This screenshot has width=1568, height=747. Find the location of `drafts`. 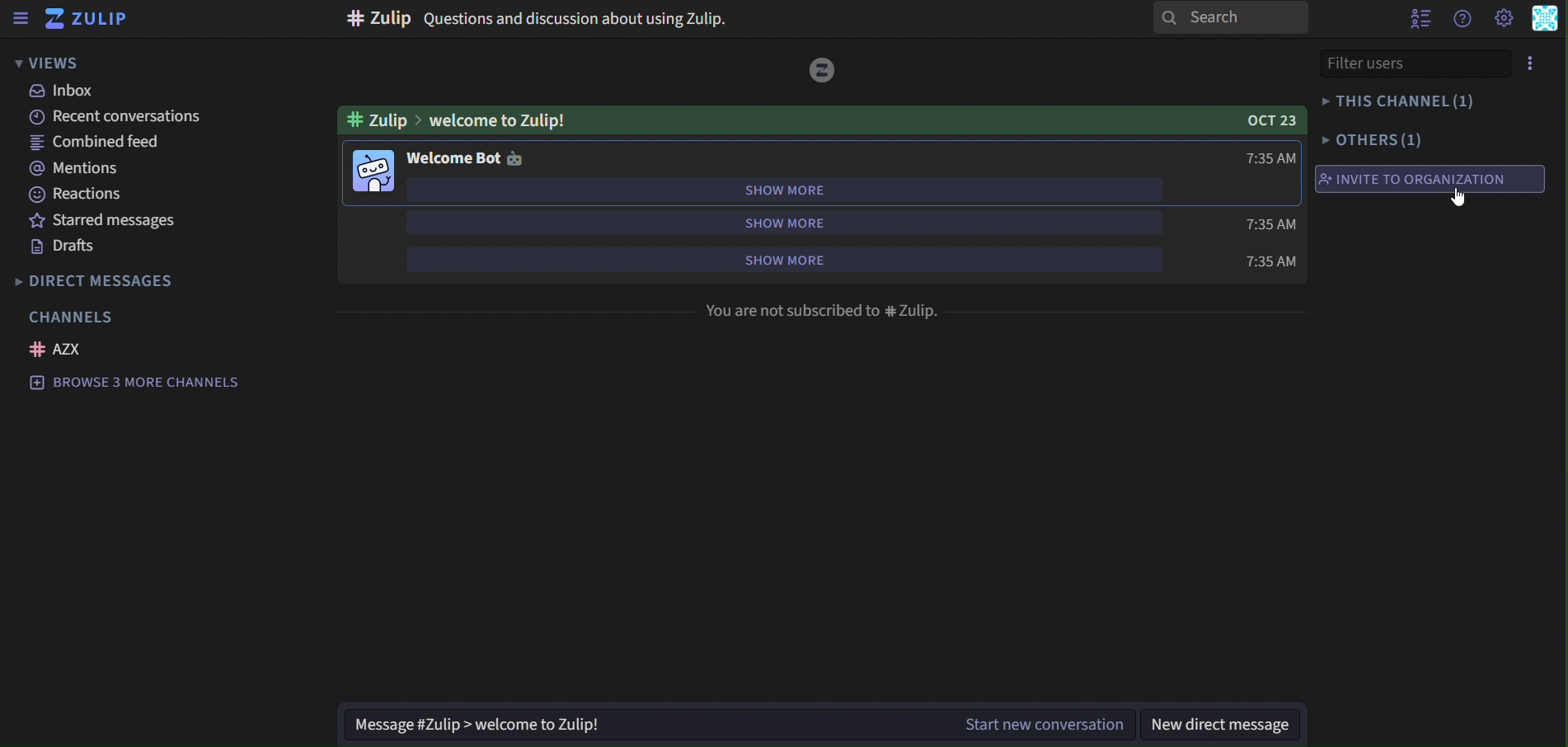

drafts is located at coordinates (63, 247).